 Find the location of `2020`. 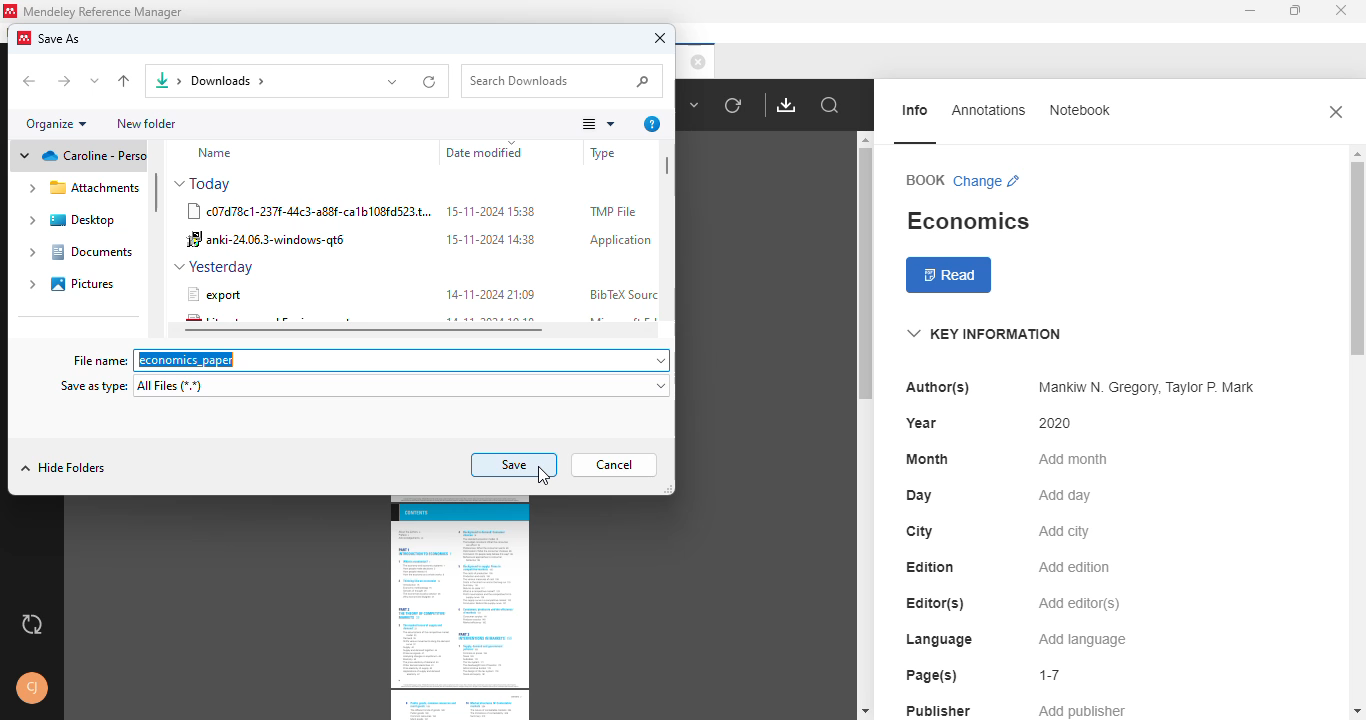

2020 is located at coordinates (1056, 423).